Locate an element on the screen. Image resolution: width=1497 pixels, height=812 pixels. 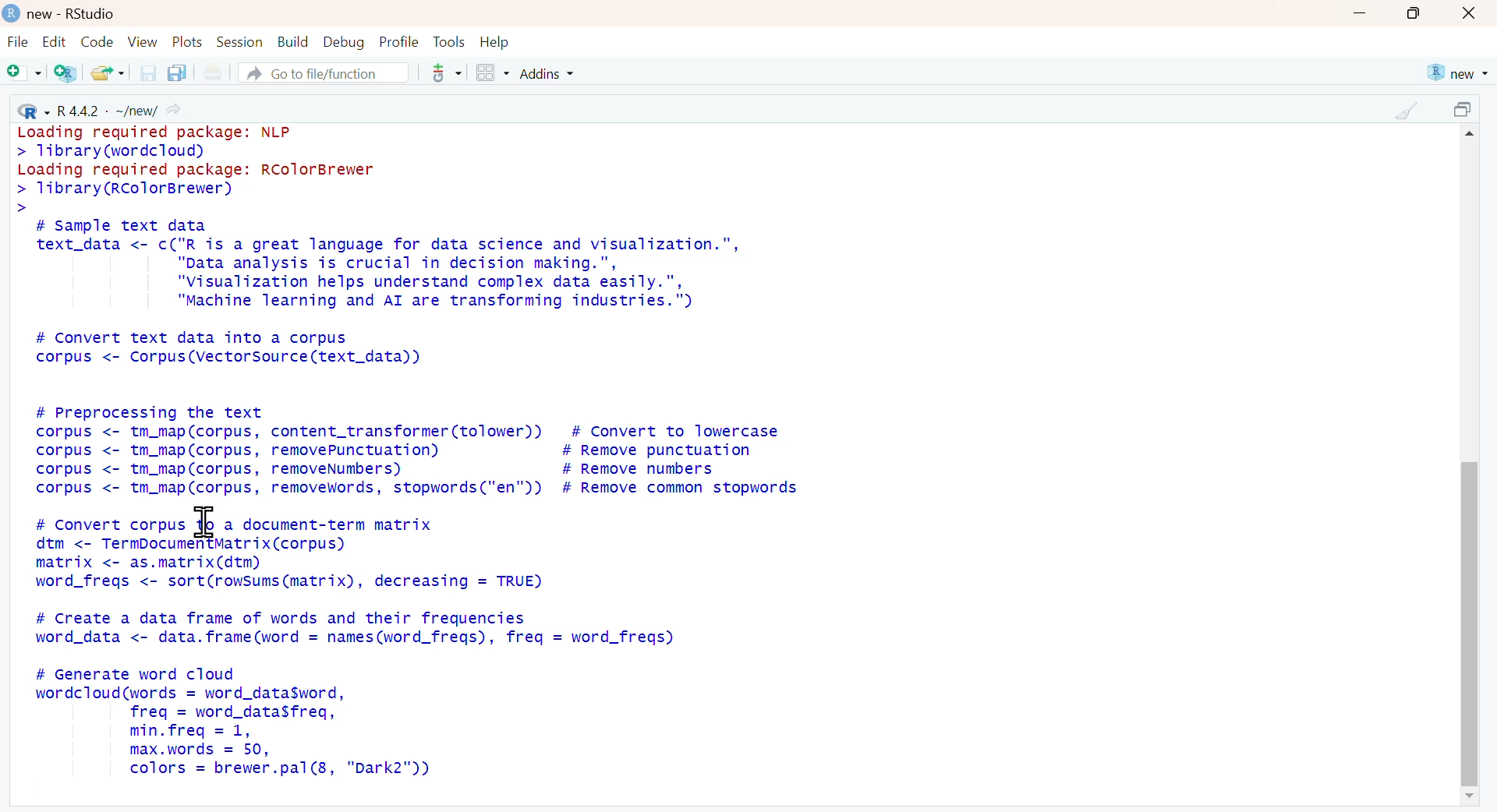
minimize is located at coordinates (1361, 12).